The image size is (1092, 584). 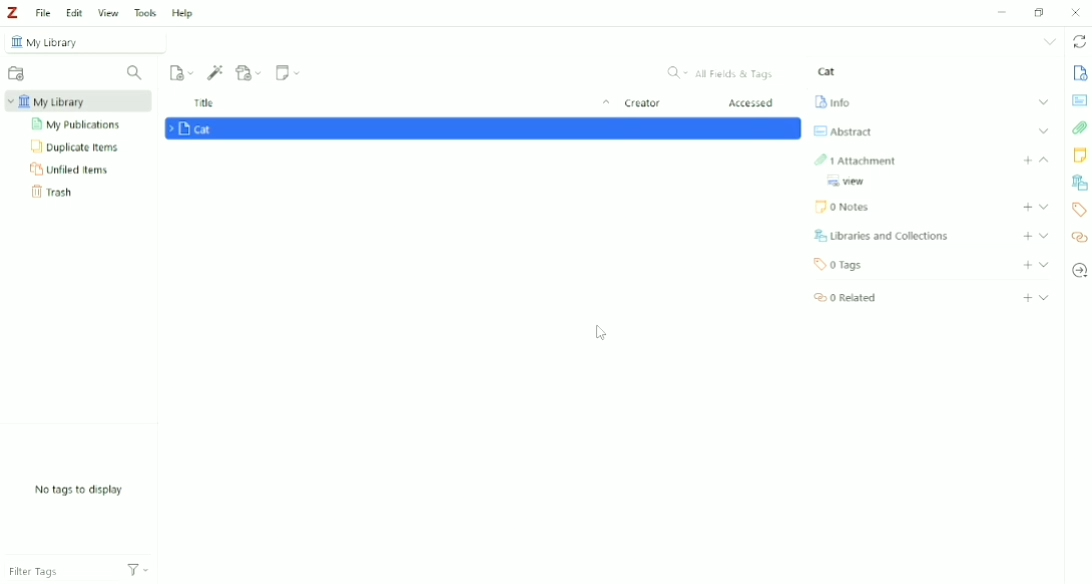 I want to click on Expand section, so click(x=1044, y=159).